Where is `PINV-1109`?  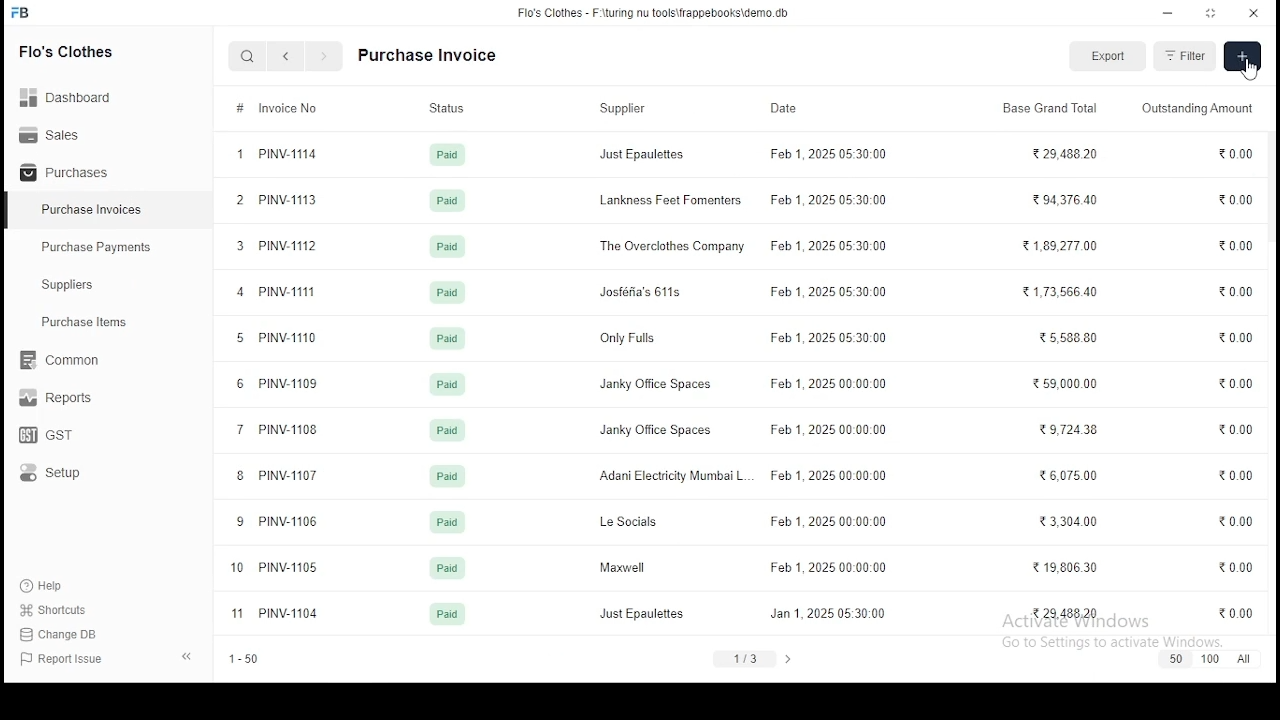
PINV-1109 is located at coordinates (288, 386).